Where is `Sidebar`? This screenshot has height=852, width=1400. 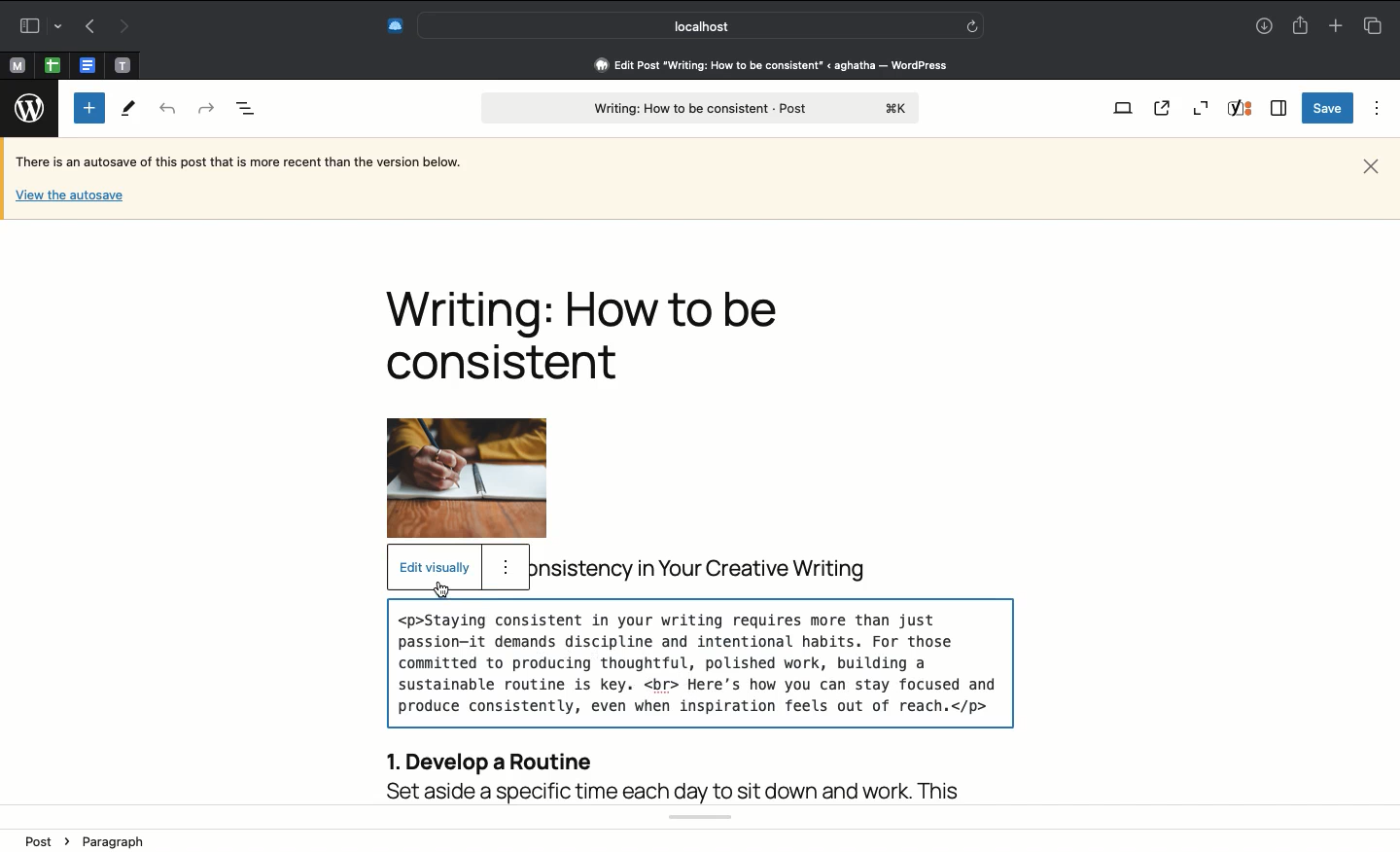
Sidebar is located at coordinates (38, 23).